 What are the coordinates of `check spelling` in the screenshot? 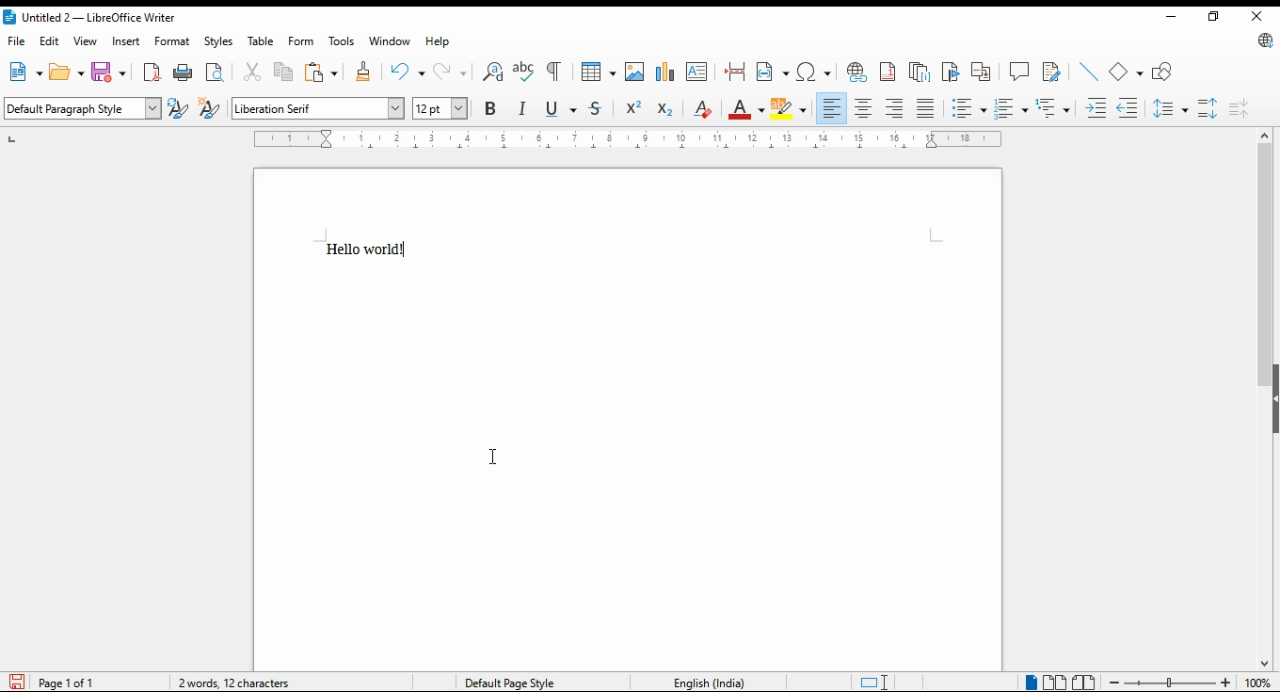 It's located at (524, 70).